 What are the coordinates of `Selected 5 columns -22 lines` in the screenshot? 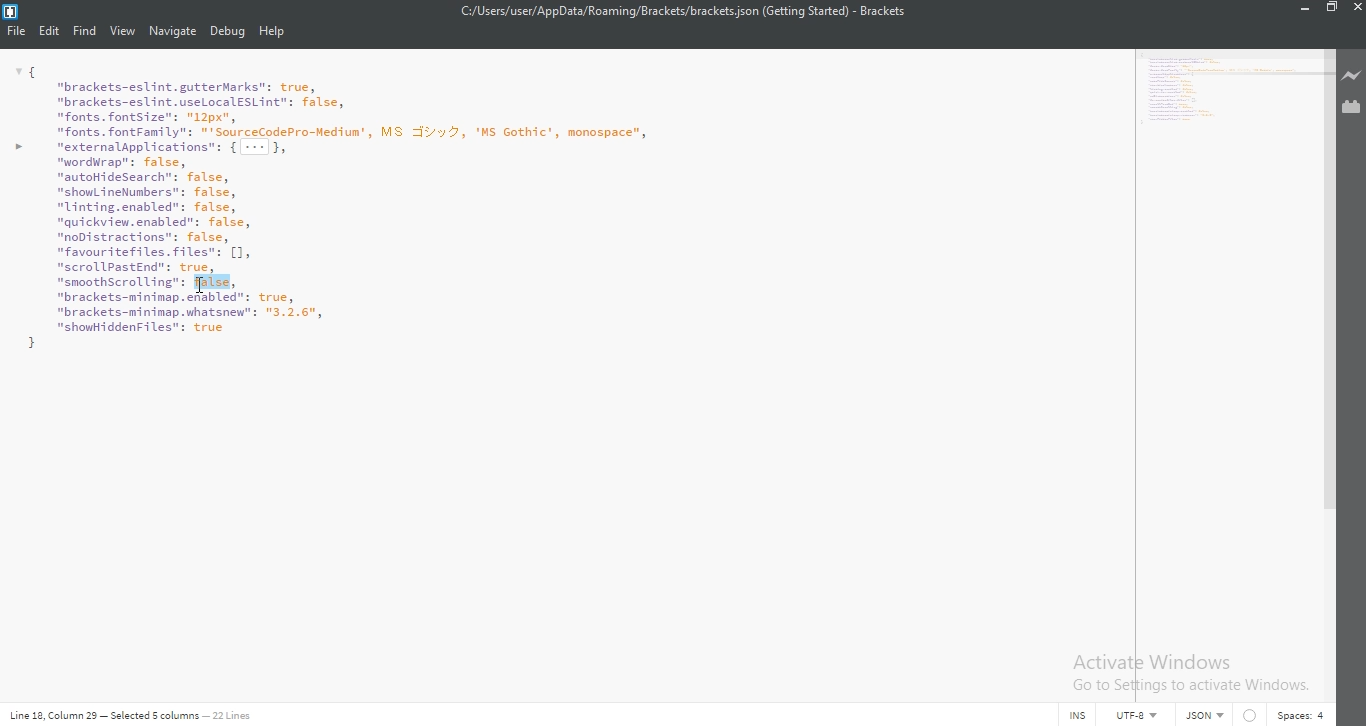 It's located at (179, 714).